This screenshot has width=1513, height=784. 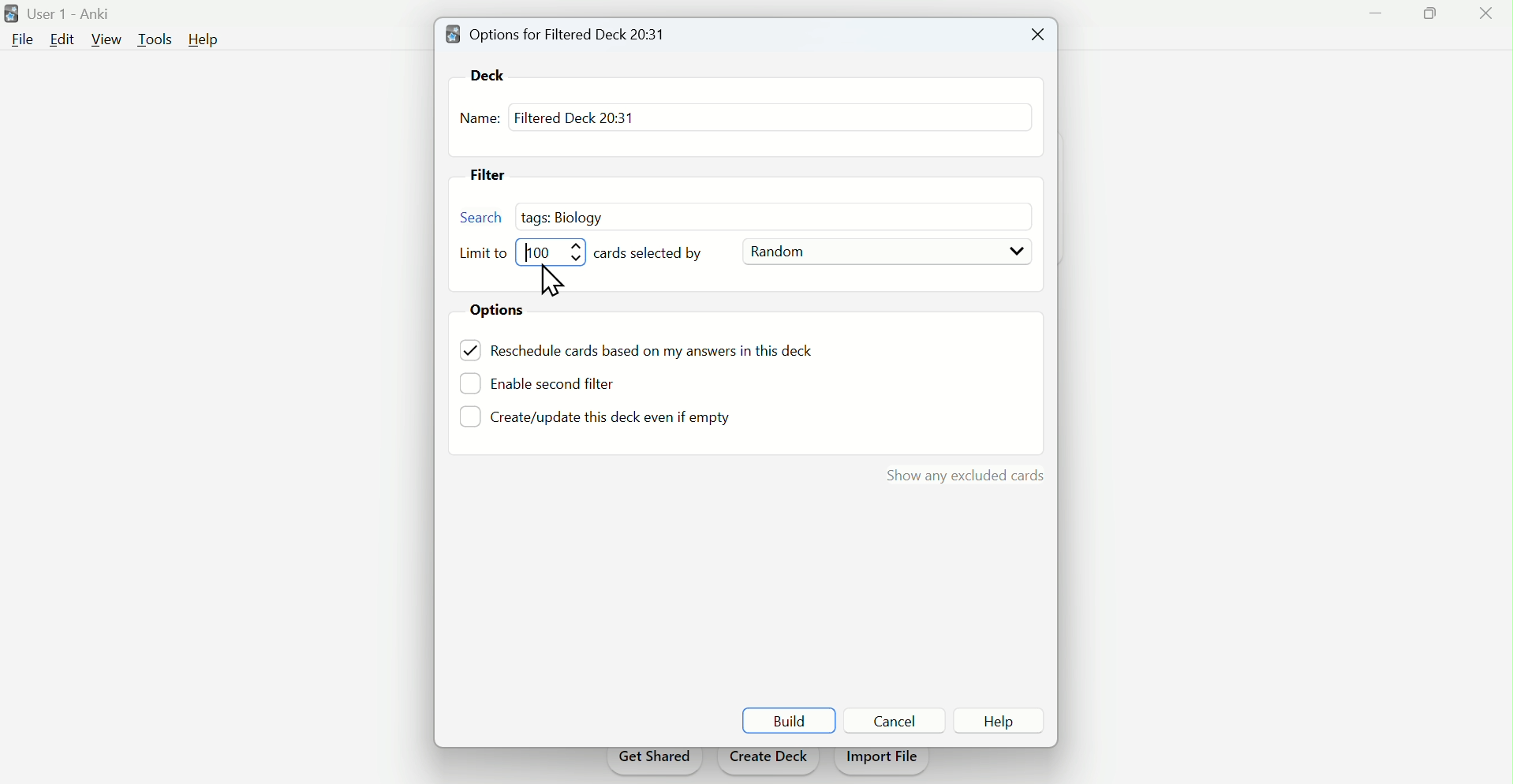 What do you see at coordinates (608, 420) in the screenshot?
I see `Create/update this deck even if empty` at bounding box center [608, 420].